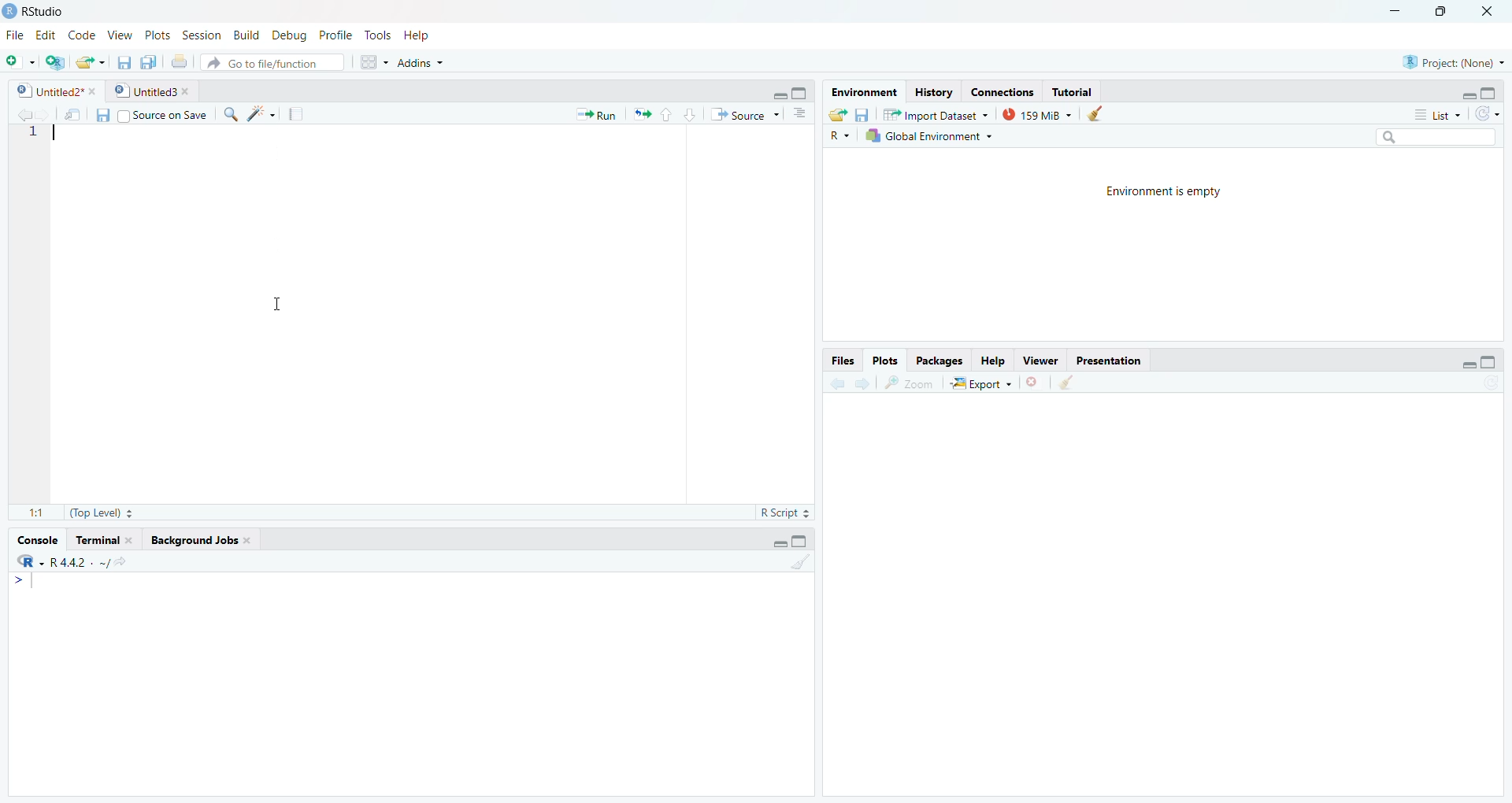 The width and height of the screenshot is (1512, 803). Describe the element at coordinates (42, 115) in the screenshot. I see `Forward` at that location.